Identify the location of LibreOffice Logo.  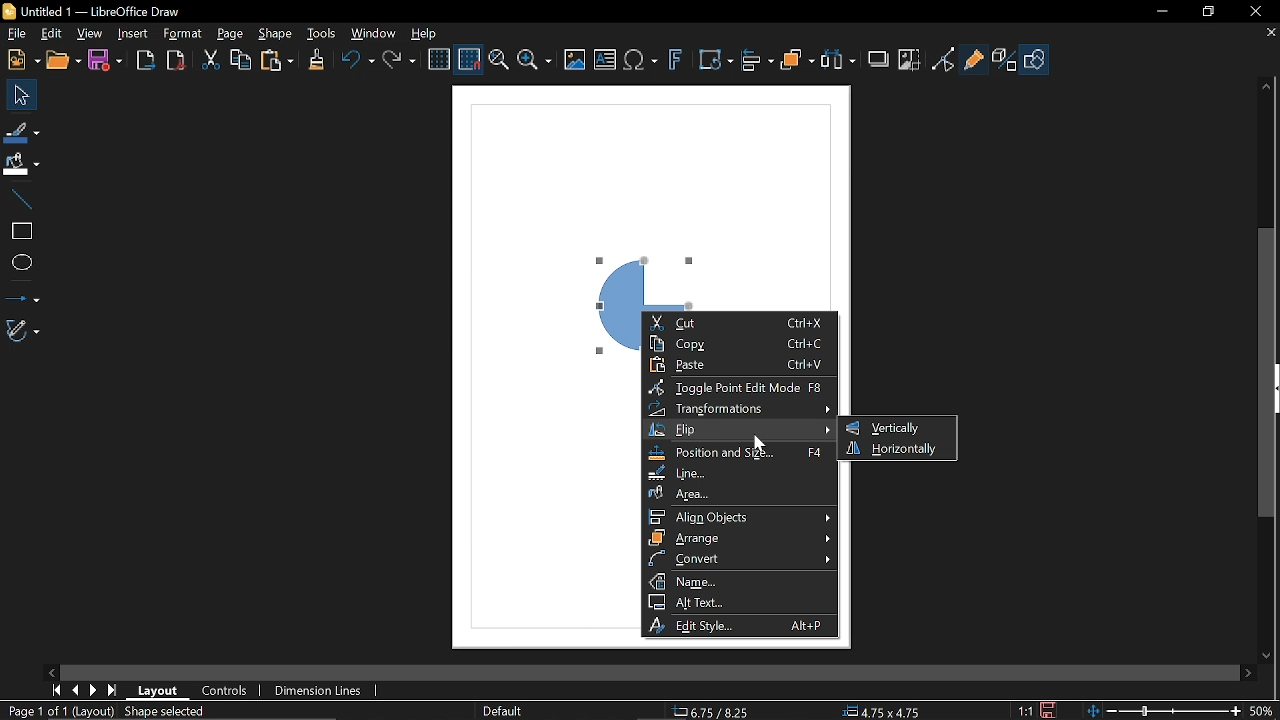
(10, 11).